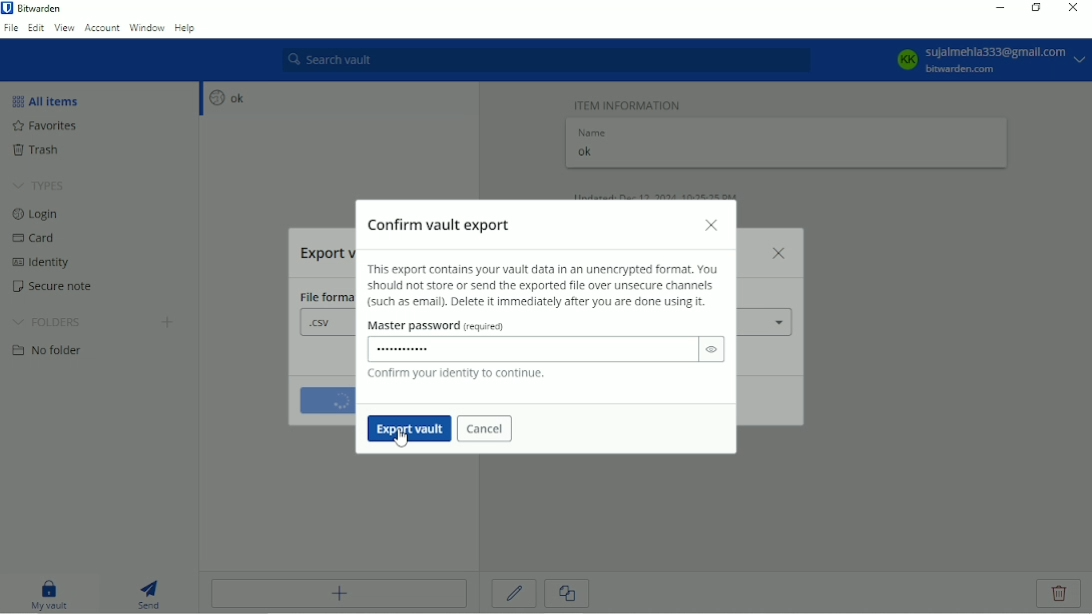  What do you see at coordinates (454, 375) in the screenshot?
I see `Confirm your identity to continue.` at bounding box center [454, 375].